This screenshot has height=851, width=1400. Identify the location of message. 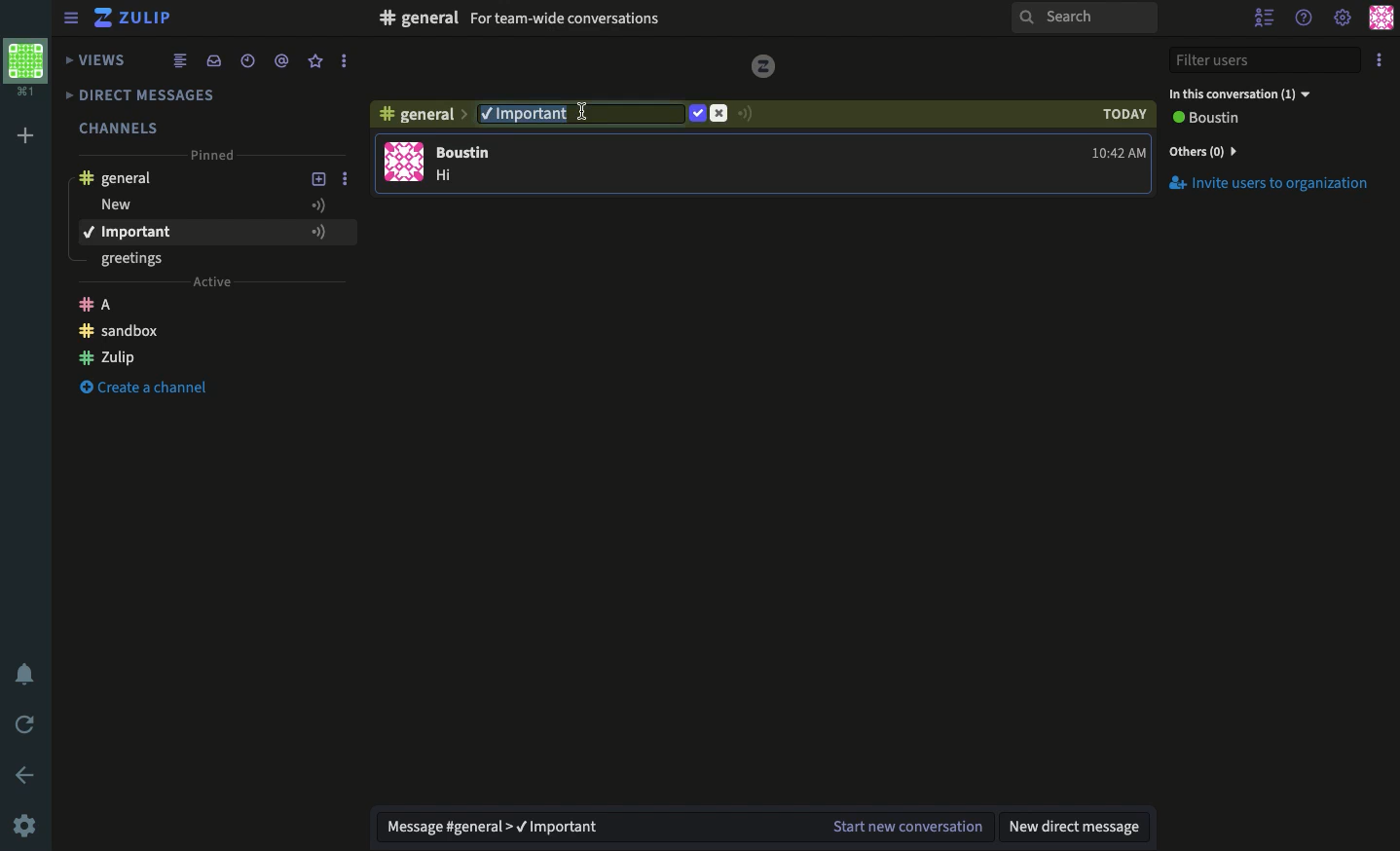
(450, 177).